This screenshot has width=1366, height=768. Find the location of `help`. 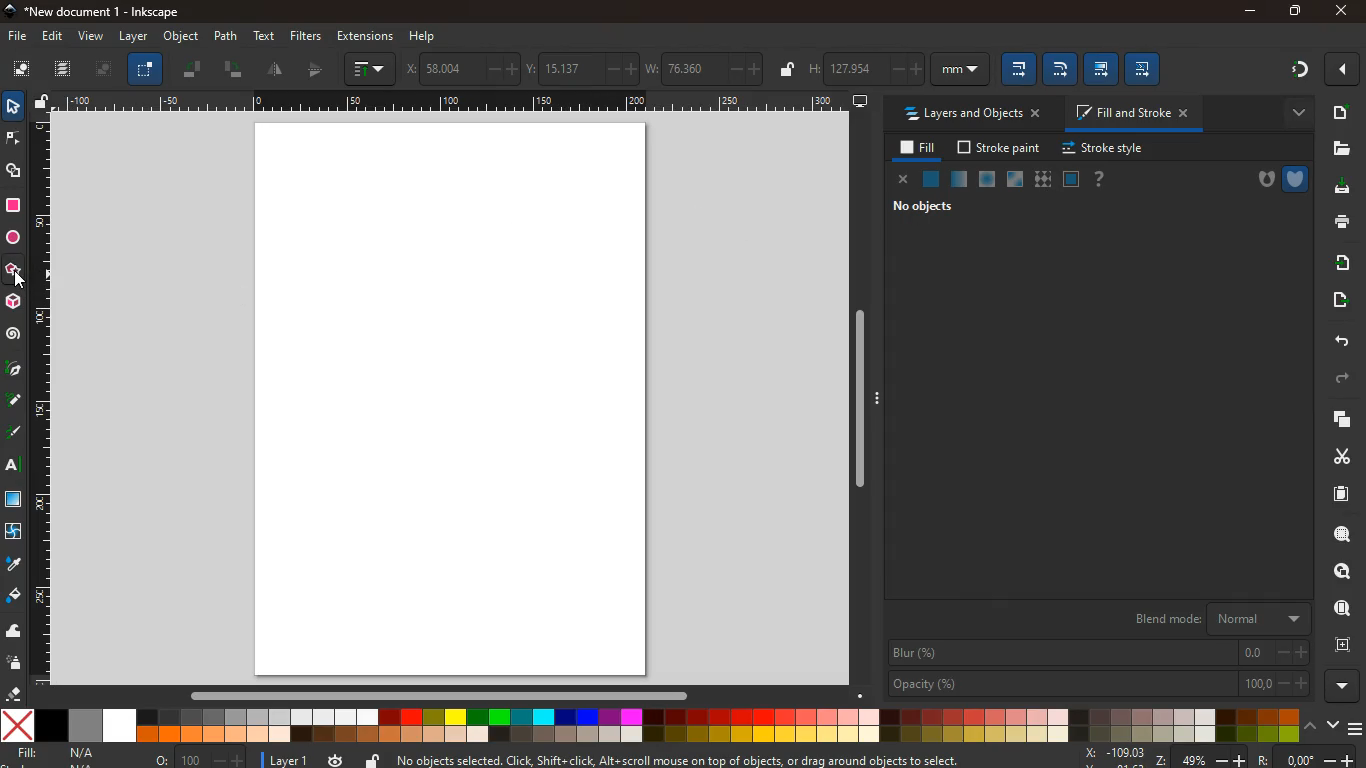

help is located at coordinates (424, 38).